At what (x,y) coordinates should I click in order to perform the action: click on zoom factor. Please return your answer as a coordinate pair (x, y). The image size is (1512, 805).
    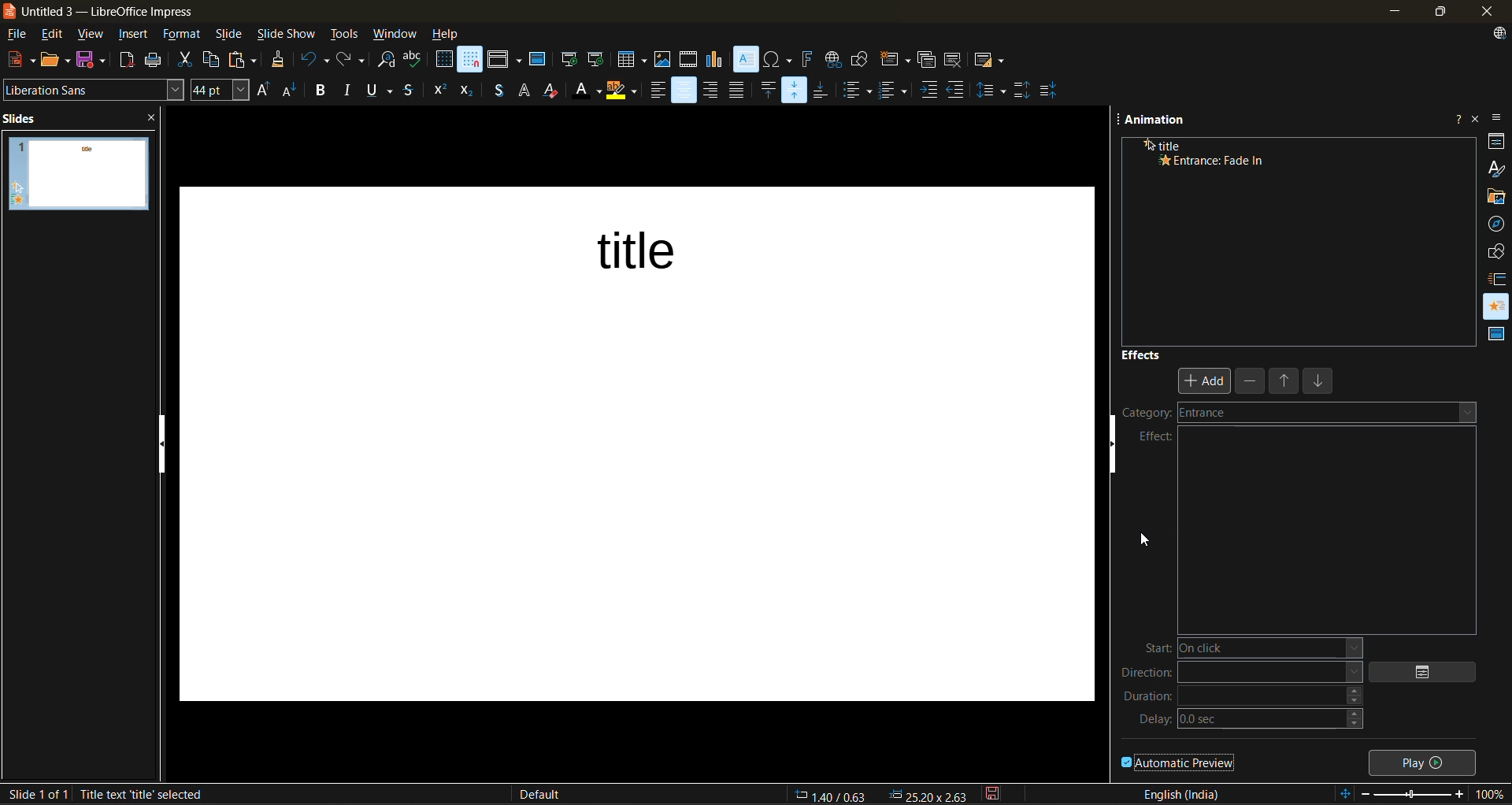
    Looking at the image, I should click on (1492, 794).